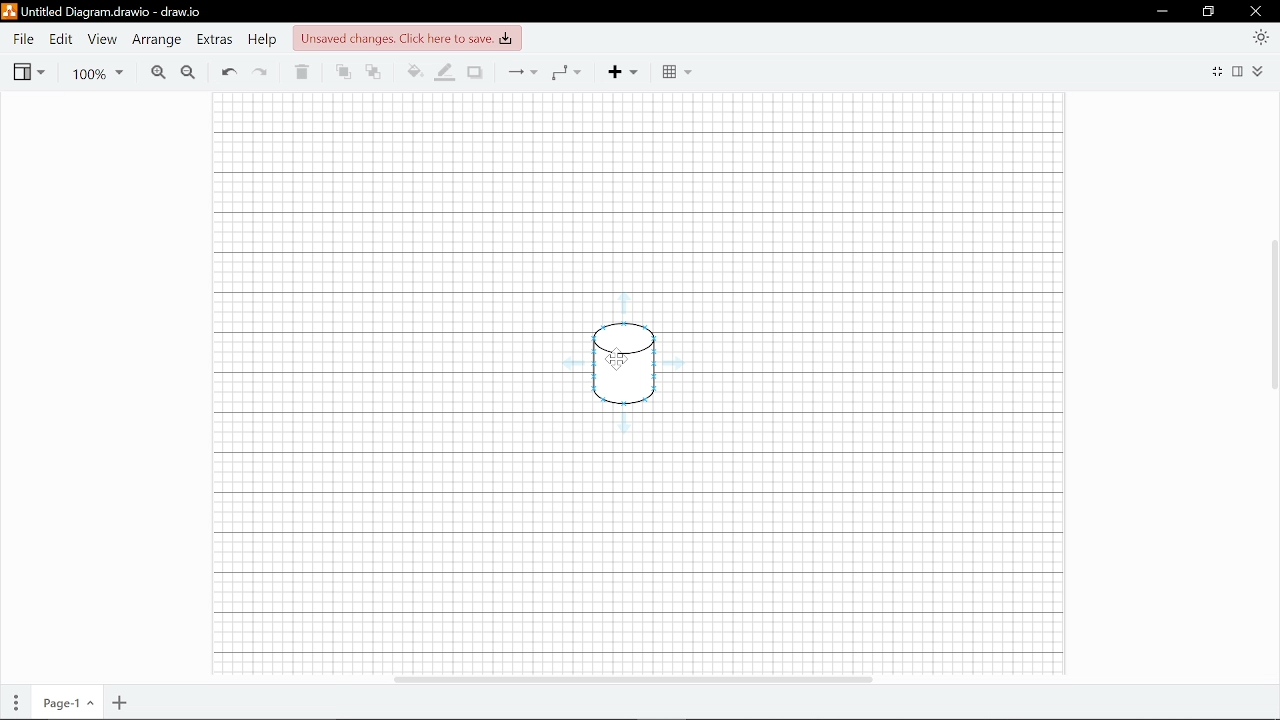 Image resolution: width=1280 pixels, height=720 pixels. What do you see at coordinates (373, 73) in the screenshot?
I see `To back` at bounding box center [373, 73].